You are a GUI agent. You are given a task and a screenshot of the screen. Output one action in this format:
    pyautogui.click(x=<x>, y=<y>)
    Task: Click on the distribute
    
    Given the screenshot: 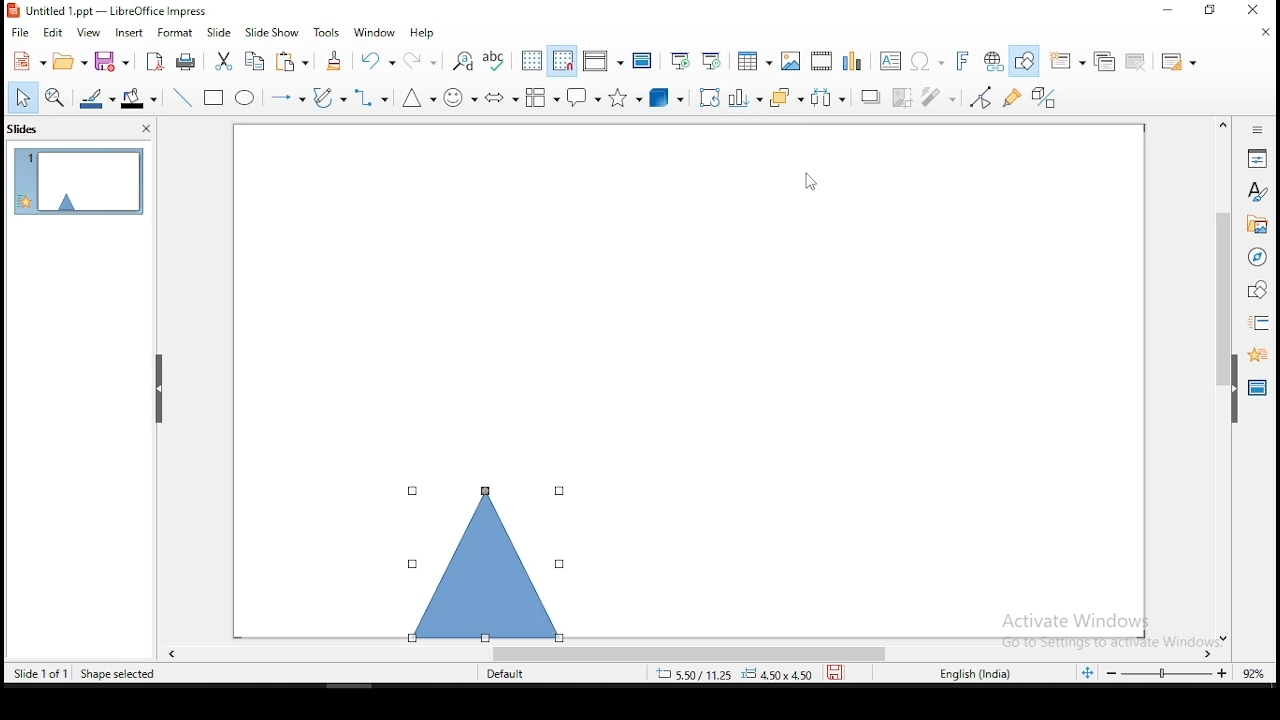 What is the action you would take?
    pyautogui.click(x=834, y=97)
    